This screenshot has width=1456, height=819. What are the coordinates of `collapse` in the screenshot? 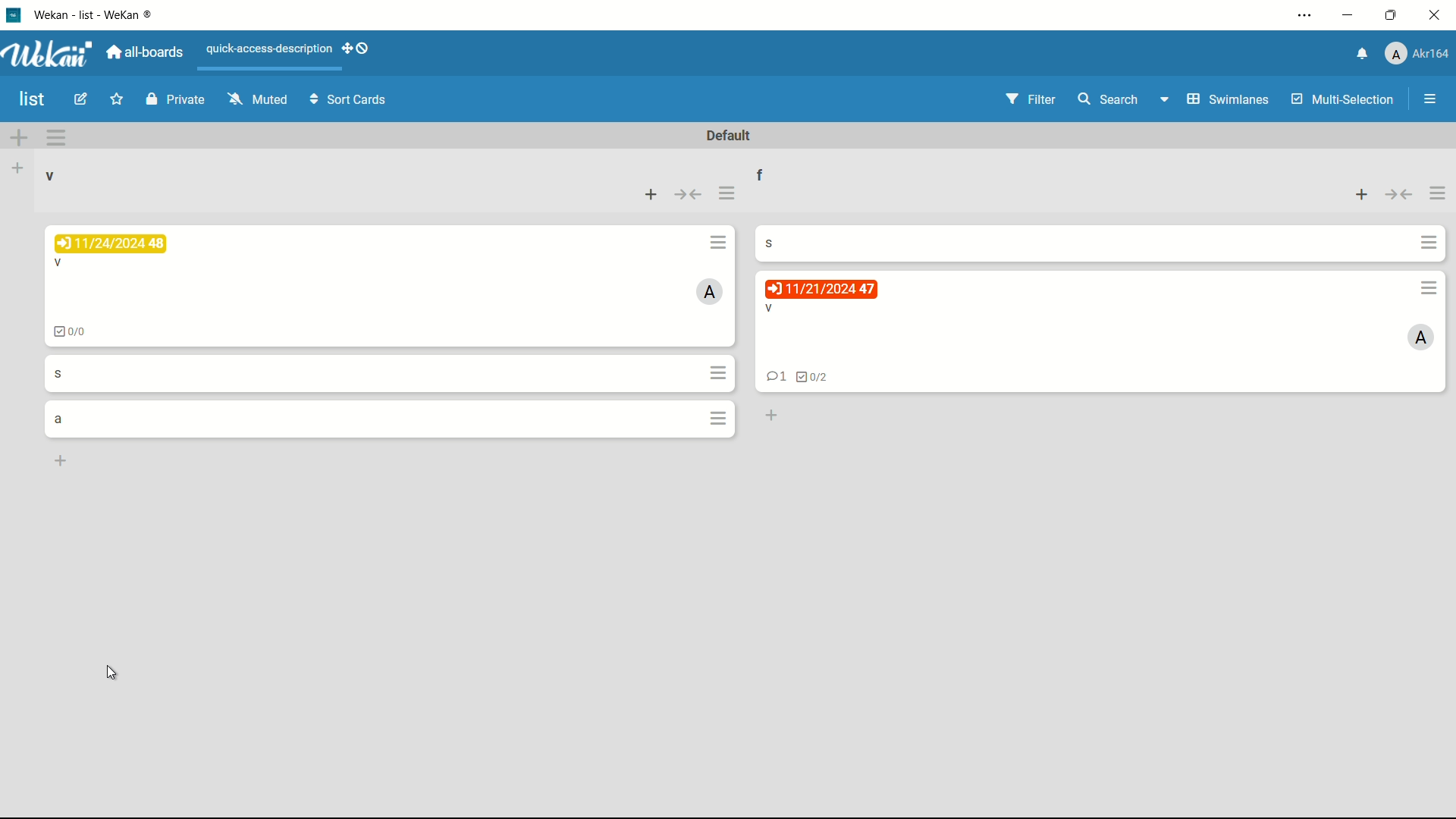 It's located at (1399, 196).